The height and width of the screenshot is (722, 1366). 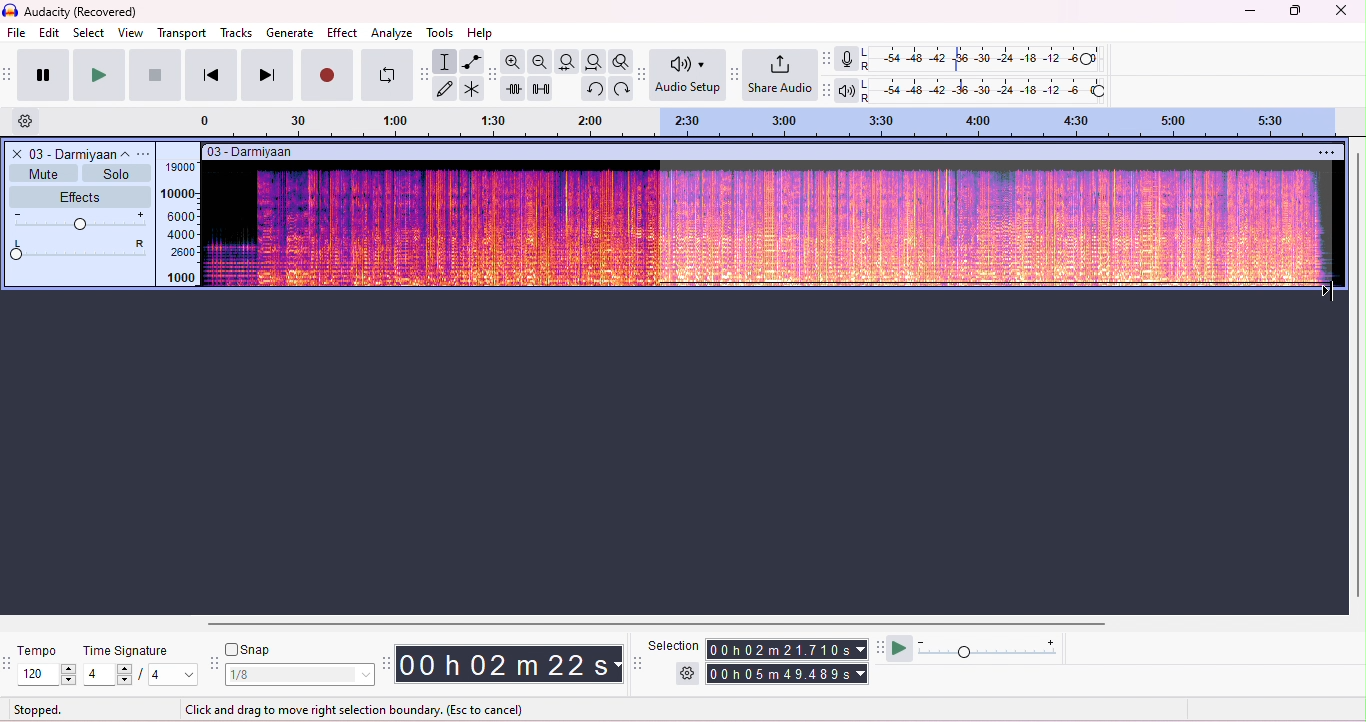 What do you see at coordinates (15, 153) in the screenshot?
I see `close` at bounding box center [15, 153].